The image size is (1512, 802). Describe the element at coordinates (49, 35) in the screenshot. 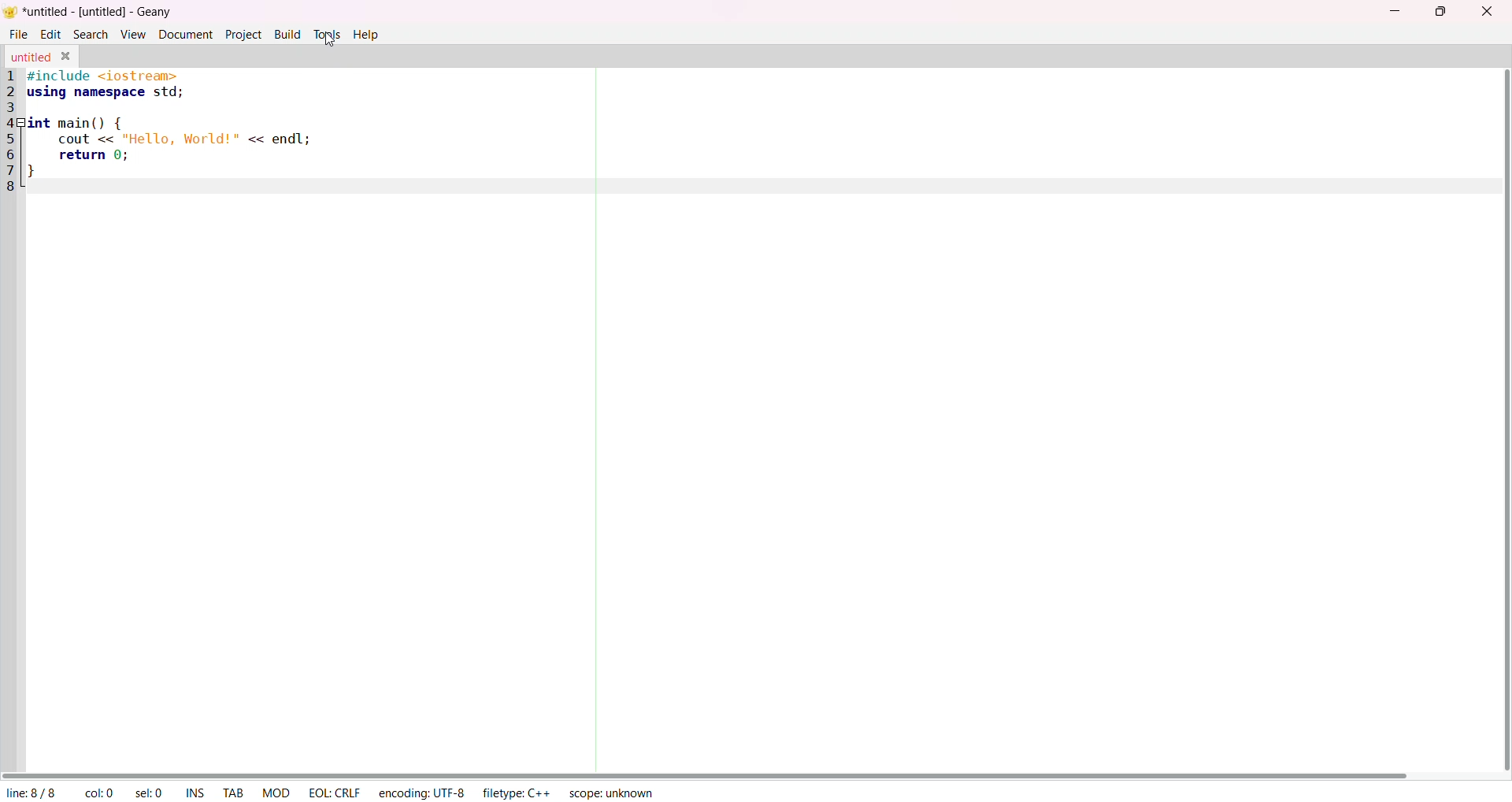

I see `Edit` at that location.